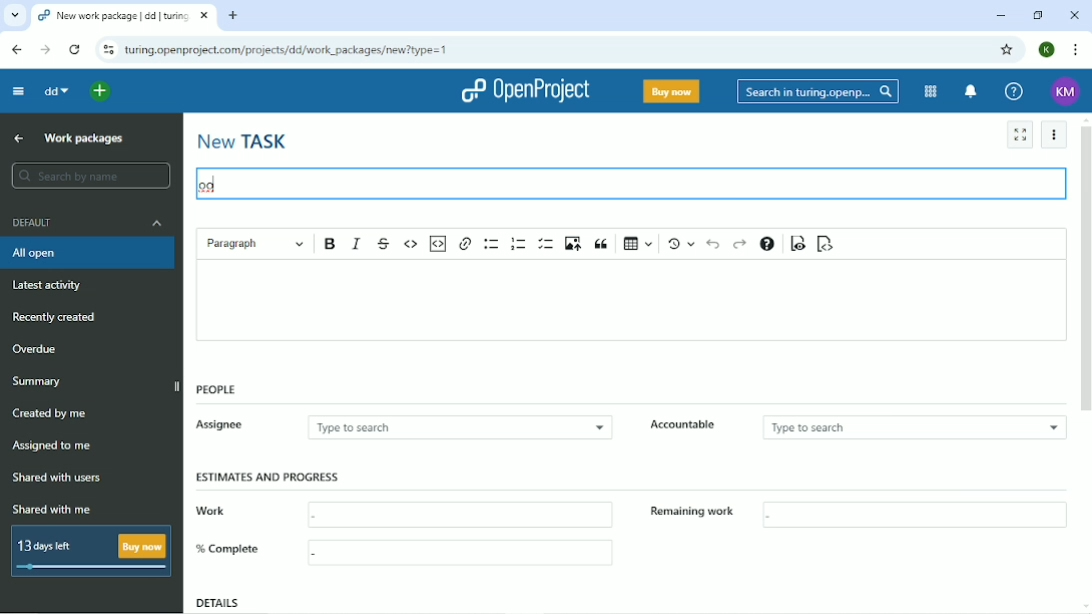 Image resolution: width=1092 pixels, height=614 pixels. Describe the element at coordinates (57, 92) in the screenshot. I see `dd` at that location.